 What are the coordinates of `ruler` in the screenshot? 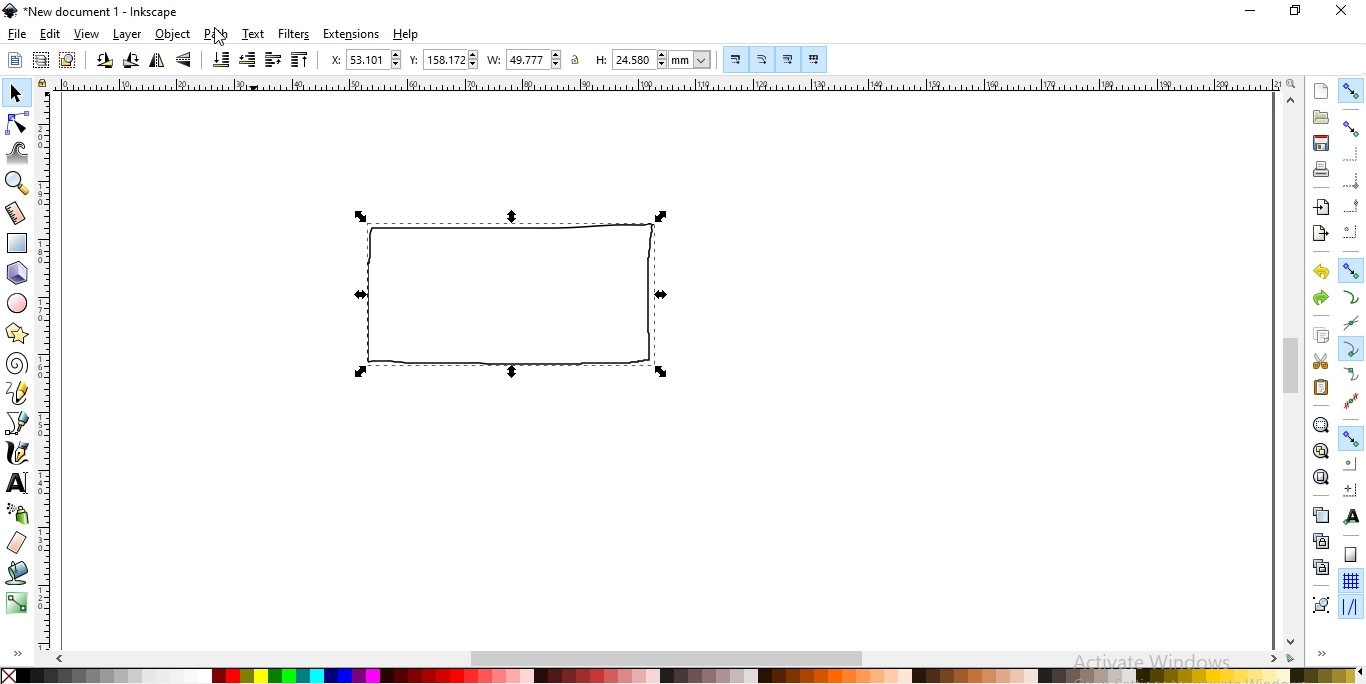 It's located at (50, 376).